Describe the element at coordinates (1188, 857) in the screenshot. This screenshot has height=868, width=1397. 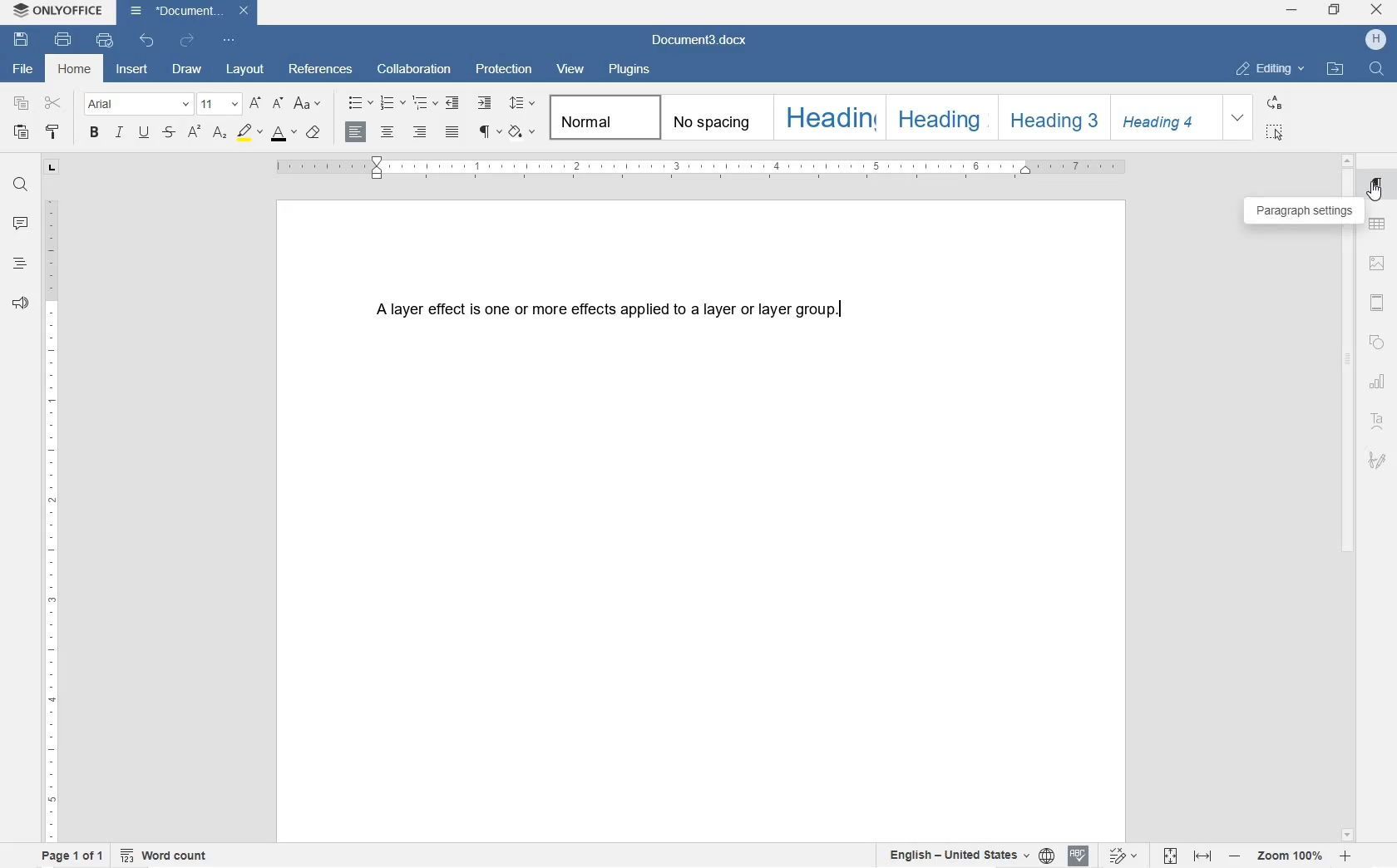
I see `FIT PAGE OR WIDTH` at that location.